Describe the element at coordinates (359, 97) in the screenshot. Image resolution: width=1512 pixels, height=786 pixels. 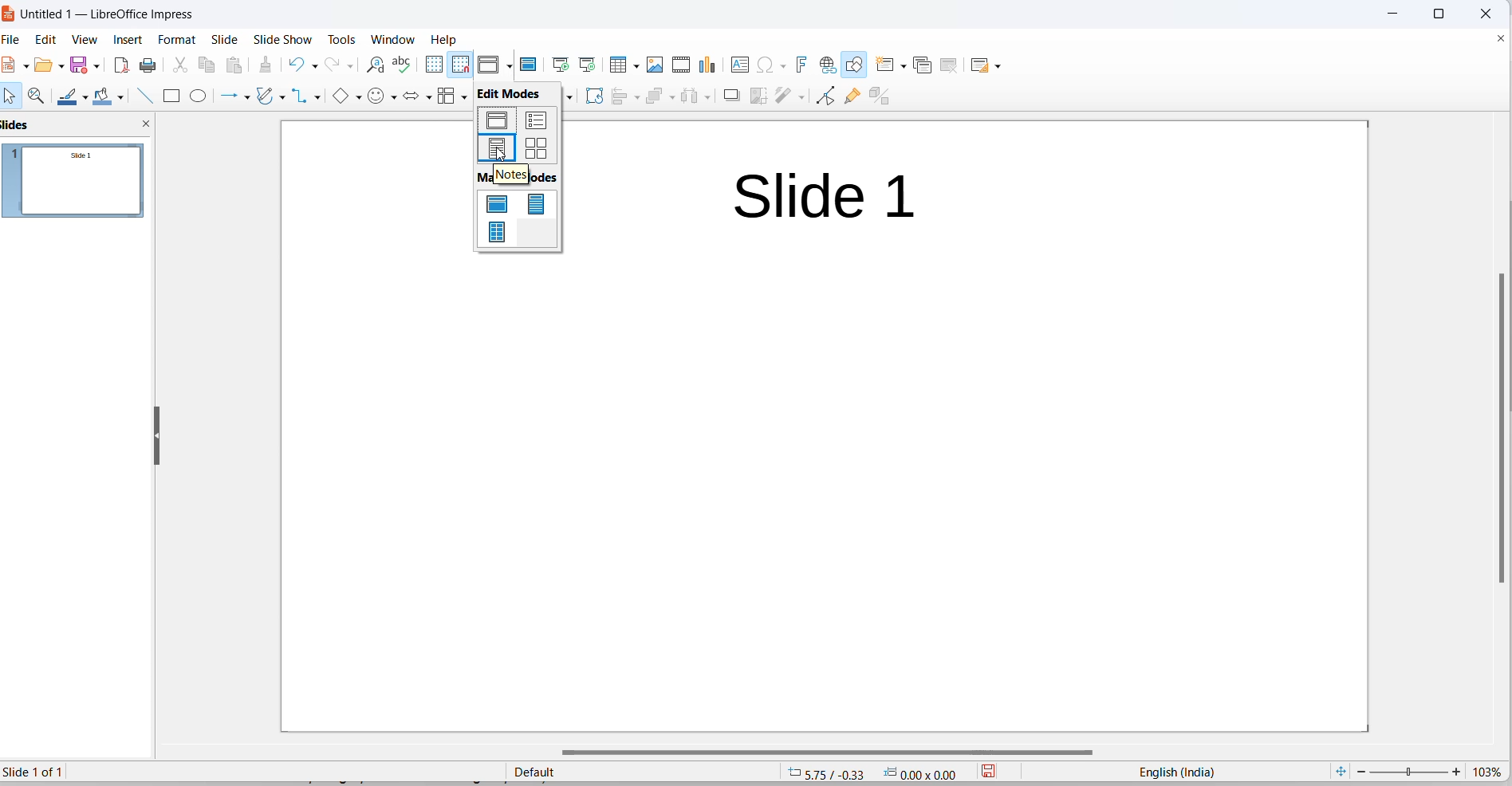
I see `basic shapes options` at that location.